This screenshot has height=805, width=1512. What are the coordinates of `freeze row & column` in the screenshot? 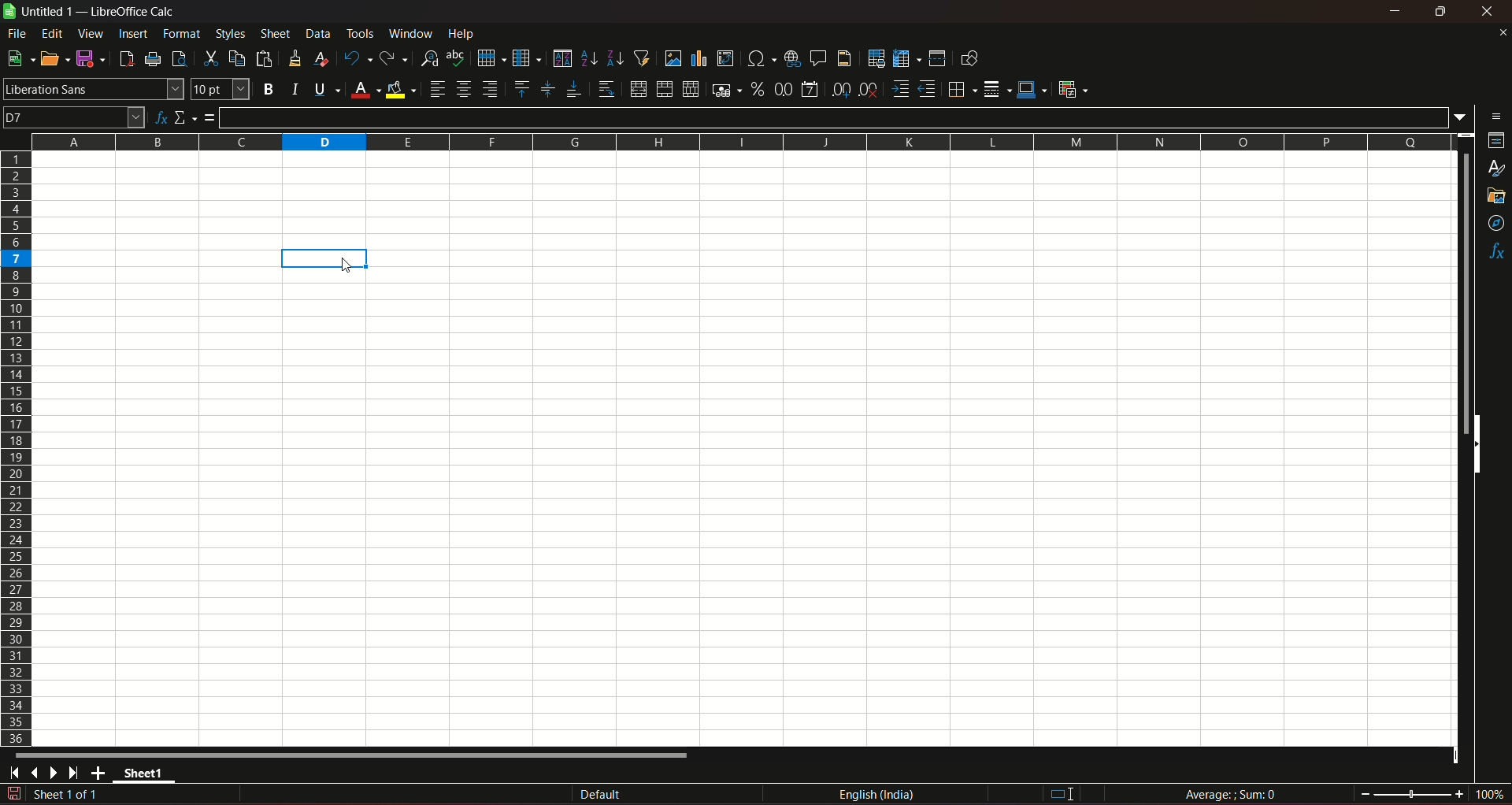 It's located at (906, 59).